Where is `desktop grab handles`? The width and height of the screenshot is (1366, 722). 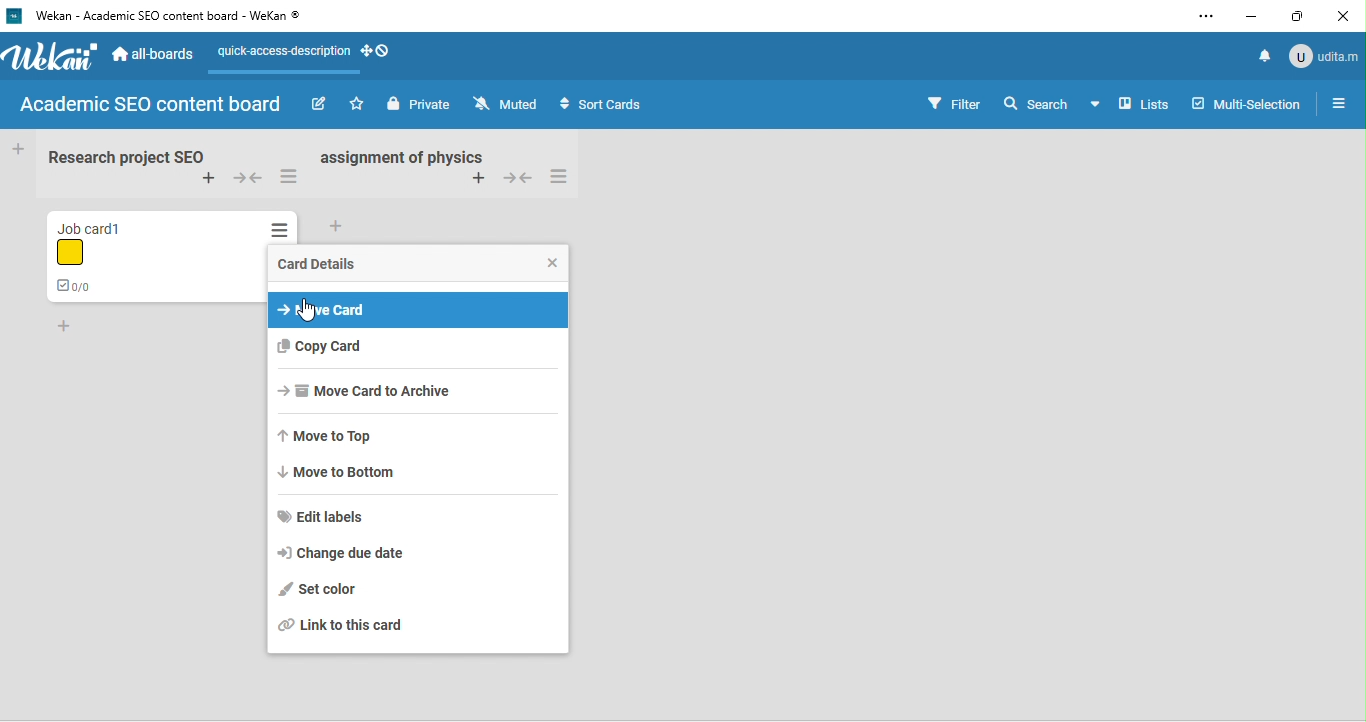 desktop grab handles is located at coordinates (378, 53).